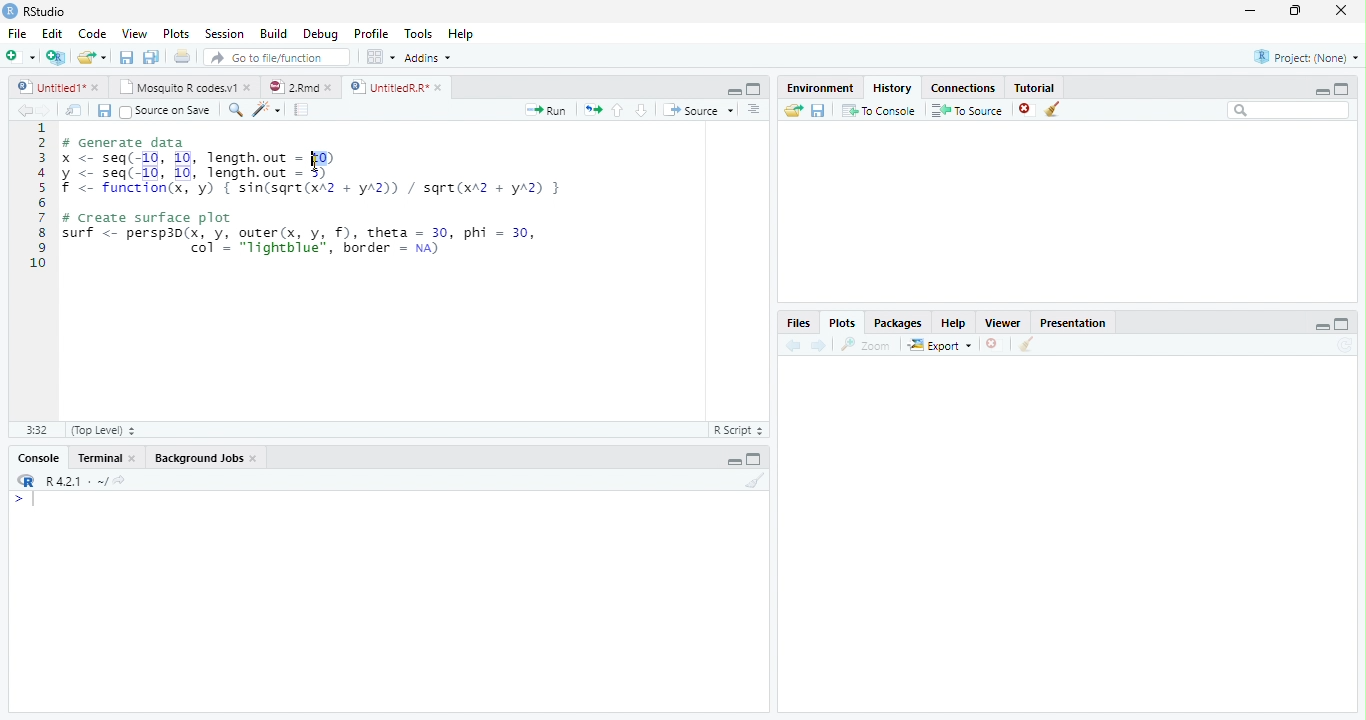  I want to click on Load history from an existing file, so click(792, 111).